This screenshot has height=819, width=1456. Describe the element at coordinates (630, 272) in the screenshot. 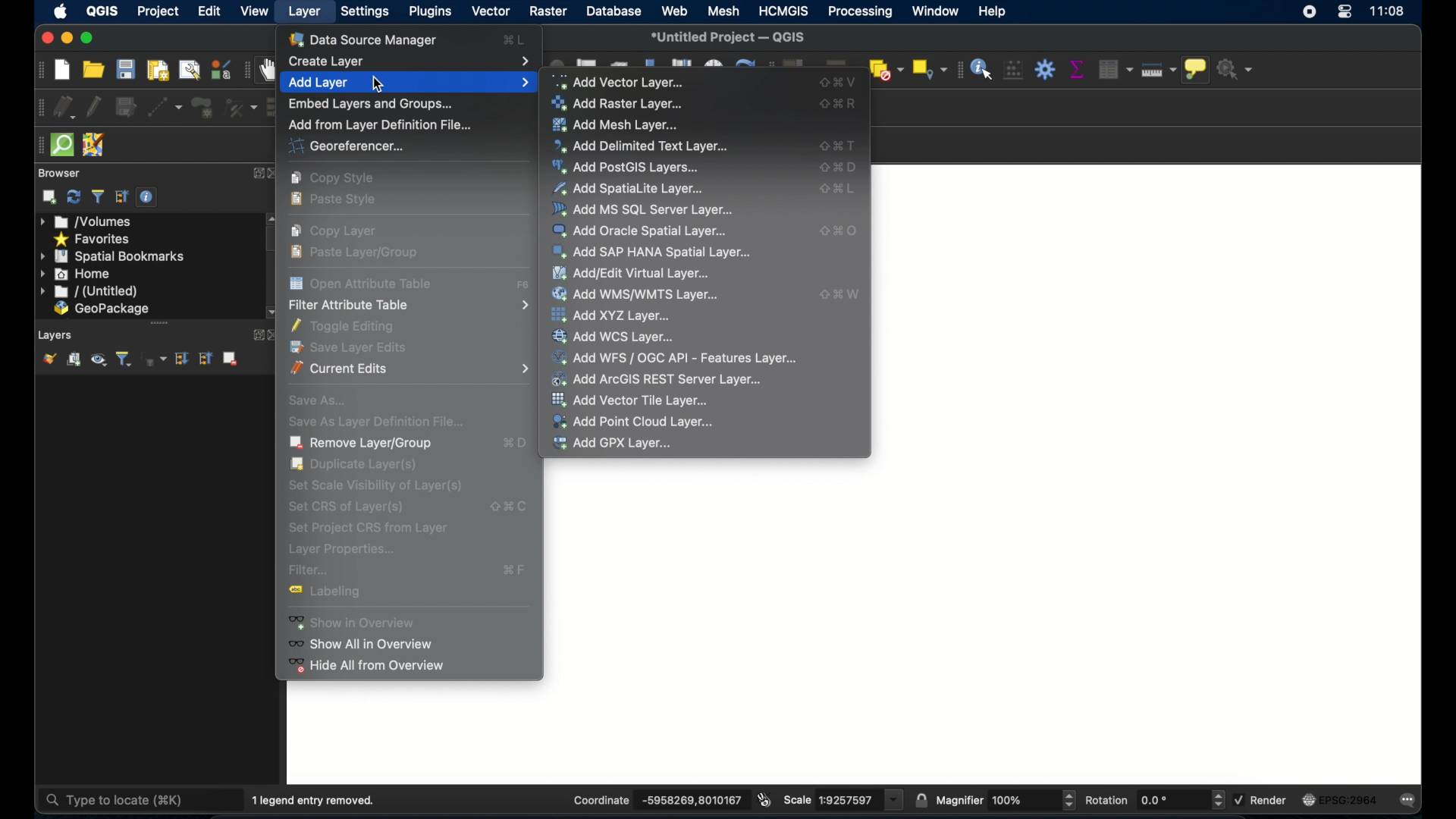

I see `add/edit virtual layer` at that location.